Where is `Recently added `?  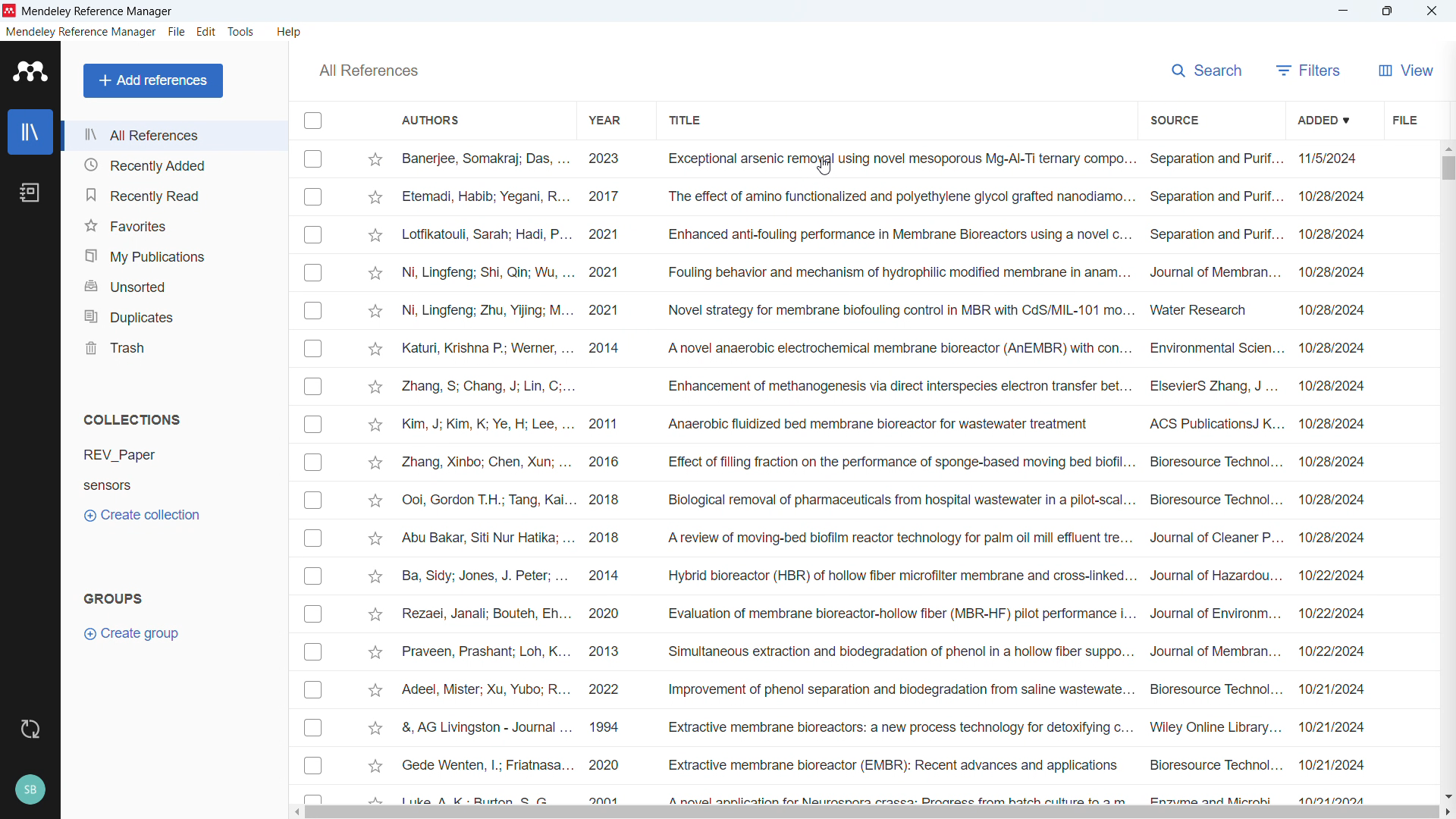 Recently added  is located at coordinates (172, 165).